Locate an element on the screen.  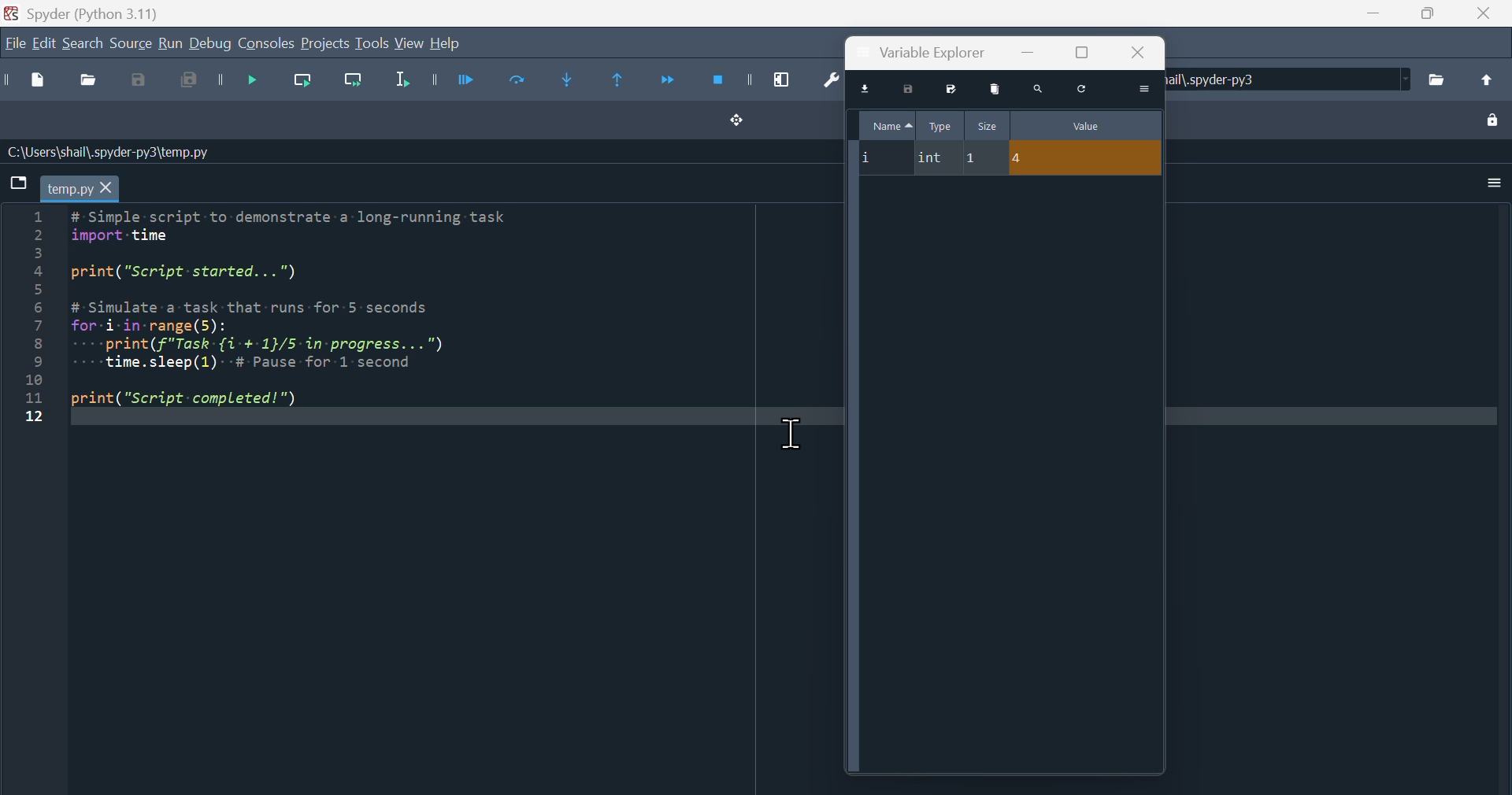
import data is located at coordinates (866, 87).